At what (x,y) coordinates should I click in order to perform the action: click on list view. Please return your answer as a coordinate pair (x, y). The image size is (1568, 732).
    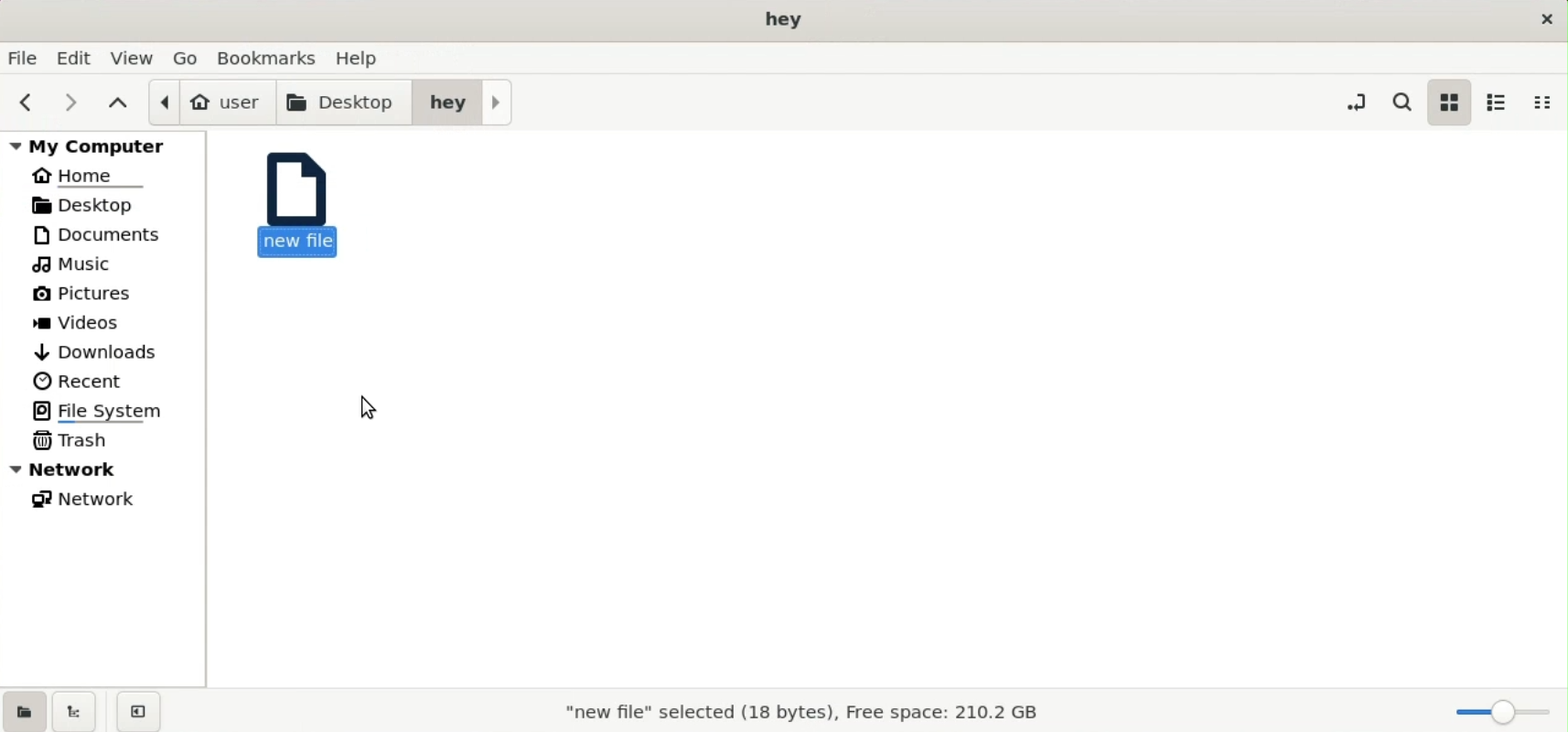
    Looking at the image, I should click on (1497, 102).